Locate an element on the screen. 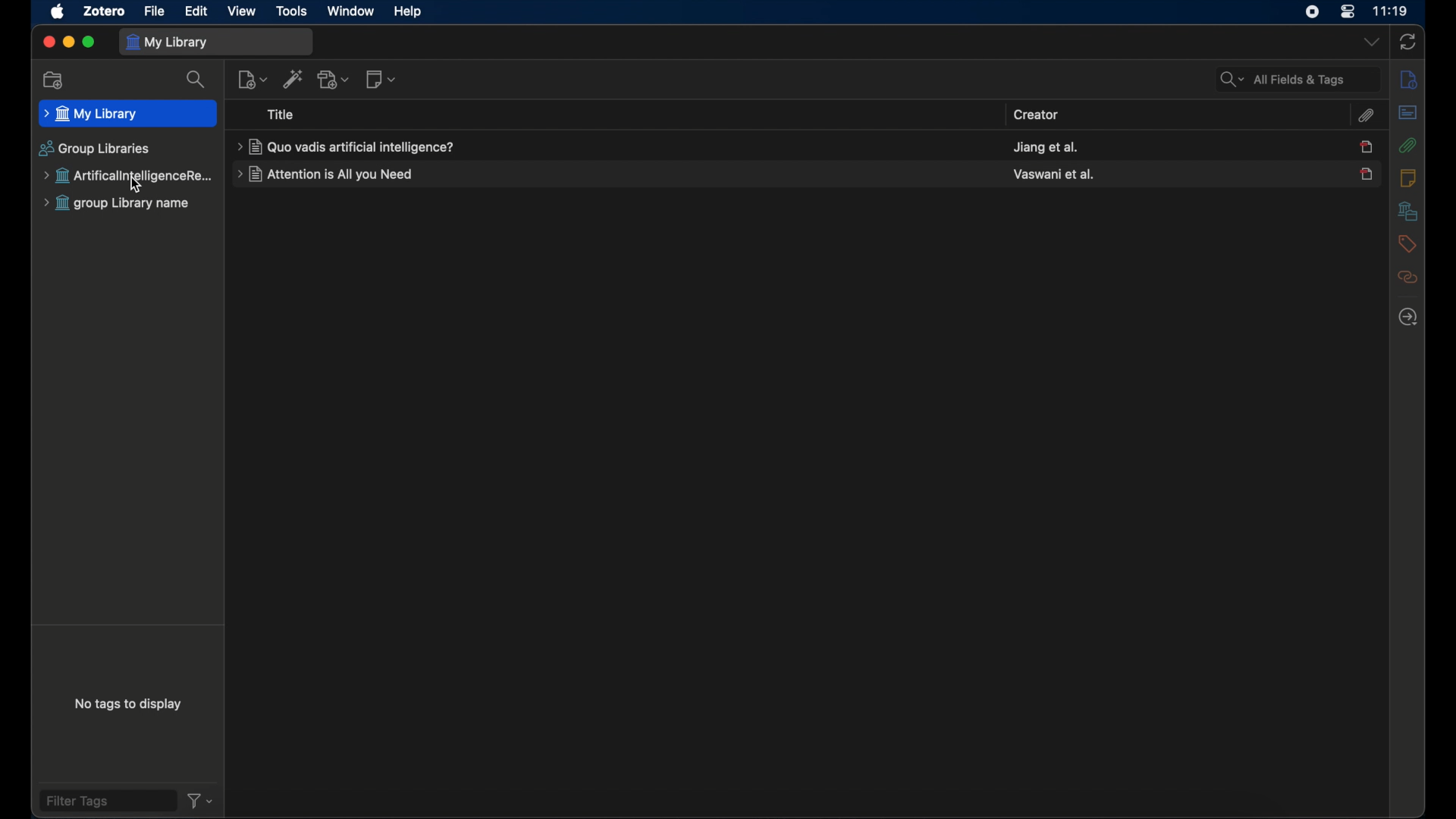  file is located at coordinates (155, 11).